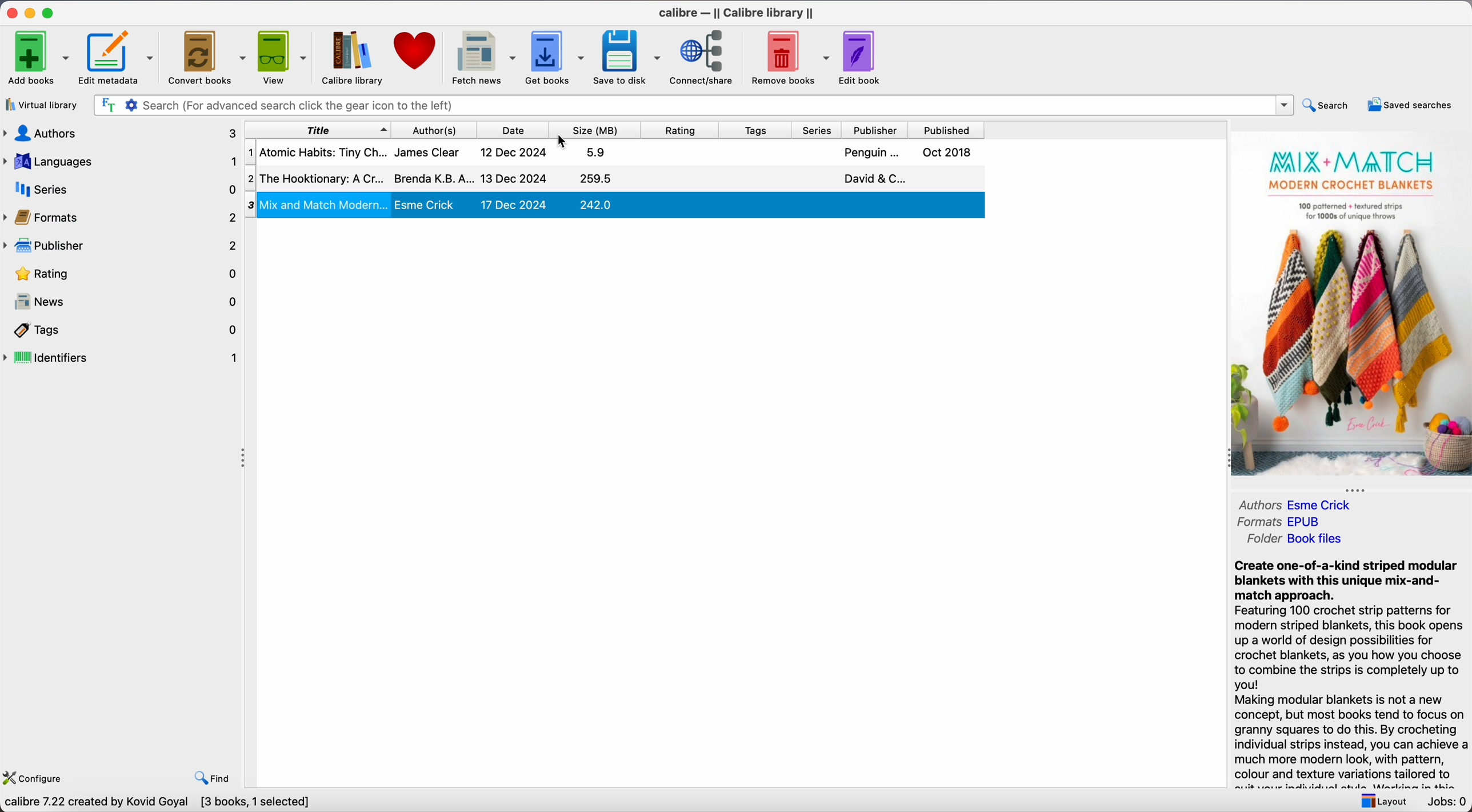 The image size is (1472, 812). What do you see at coordinates (173, 802) in the screenshot?
I see `calibre 7.22 created by Kovid Goyal [1 of 3 books, 1 selected]` at bounding box center [173, 802].